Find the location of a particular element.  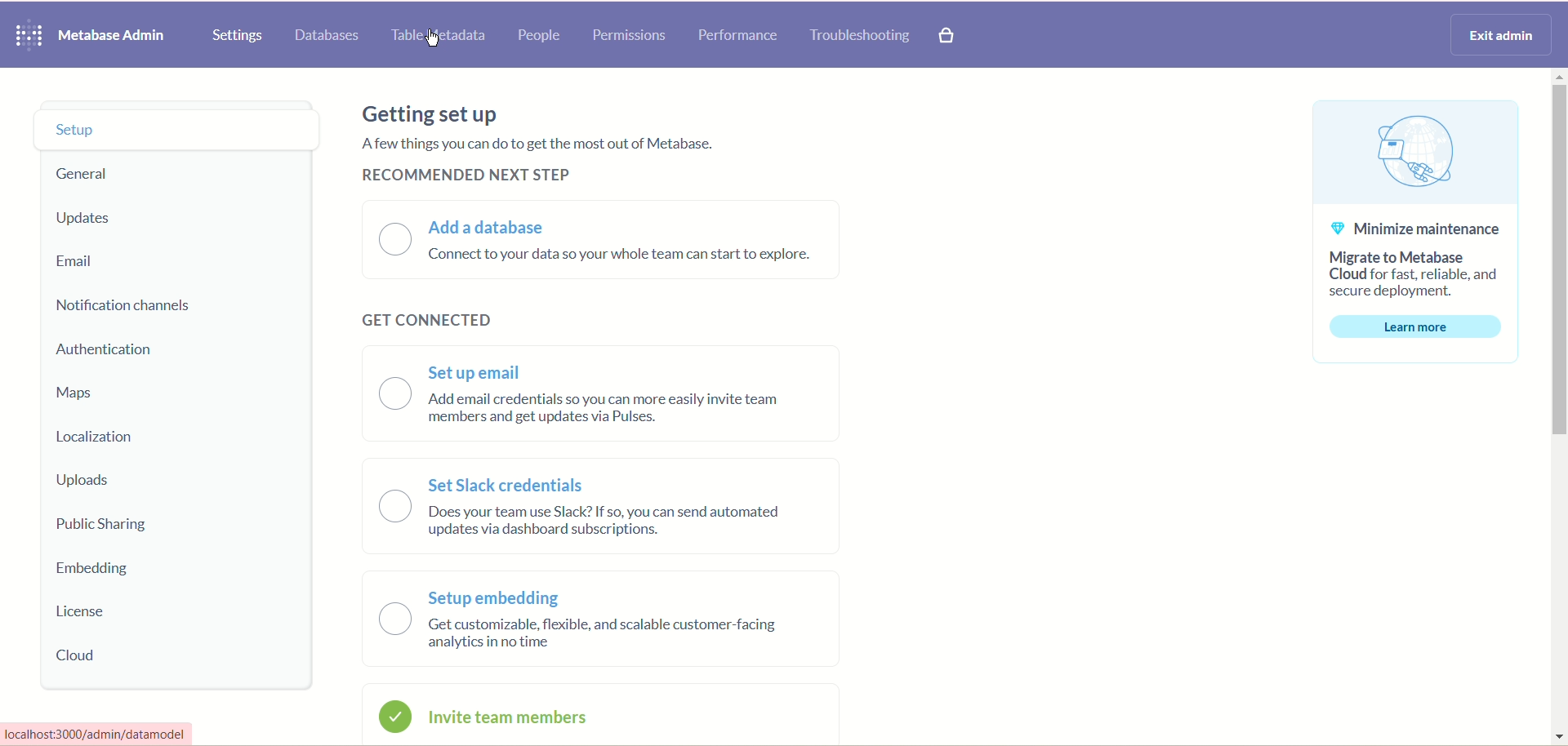

exit admin is located at coordinates (1498, 35).